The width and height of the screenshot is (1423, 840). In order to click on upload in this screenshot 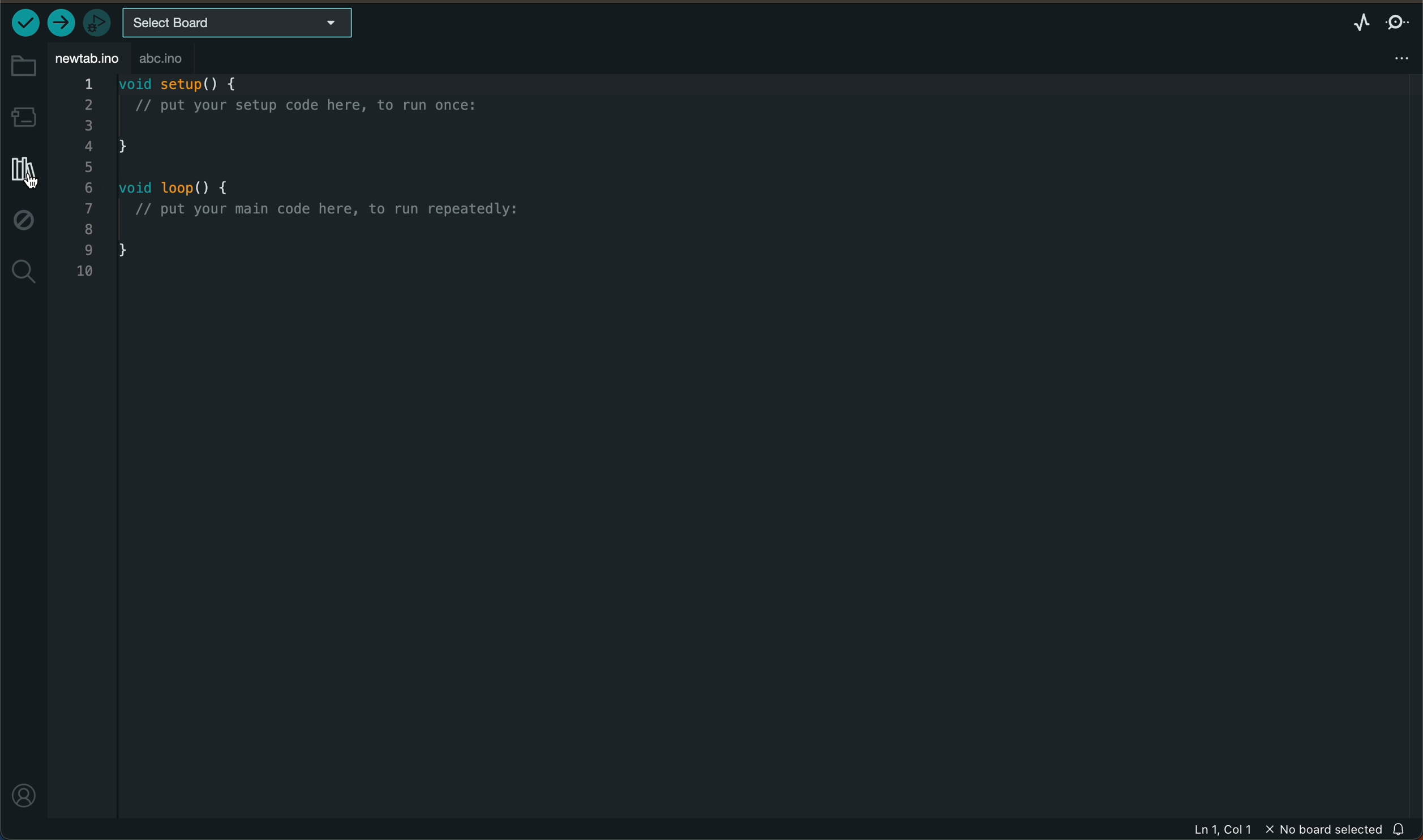, I will do `click(61, 23)`.